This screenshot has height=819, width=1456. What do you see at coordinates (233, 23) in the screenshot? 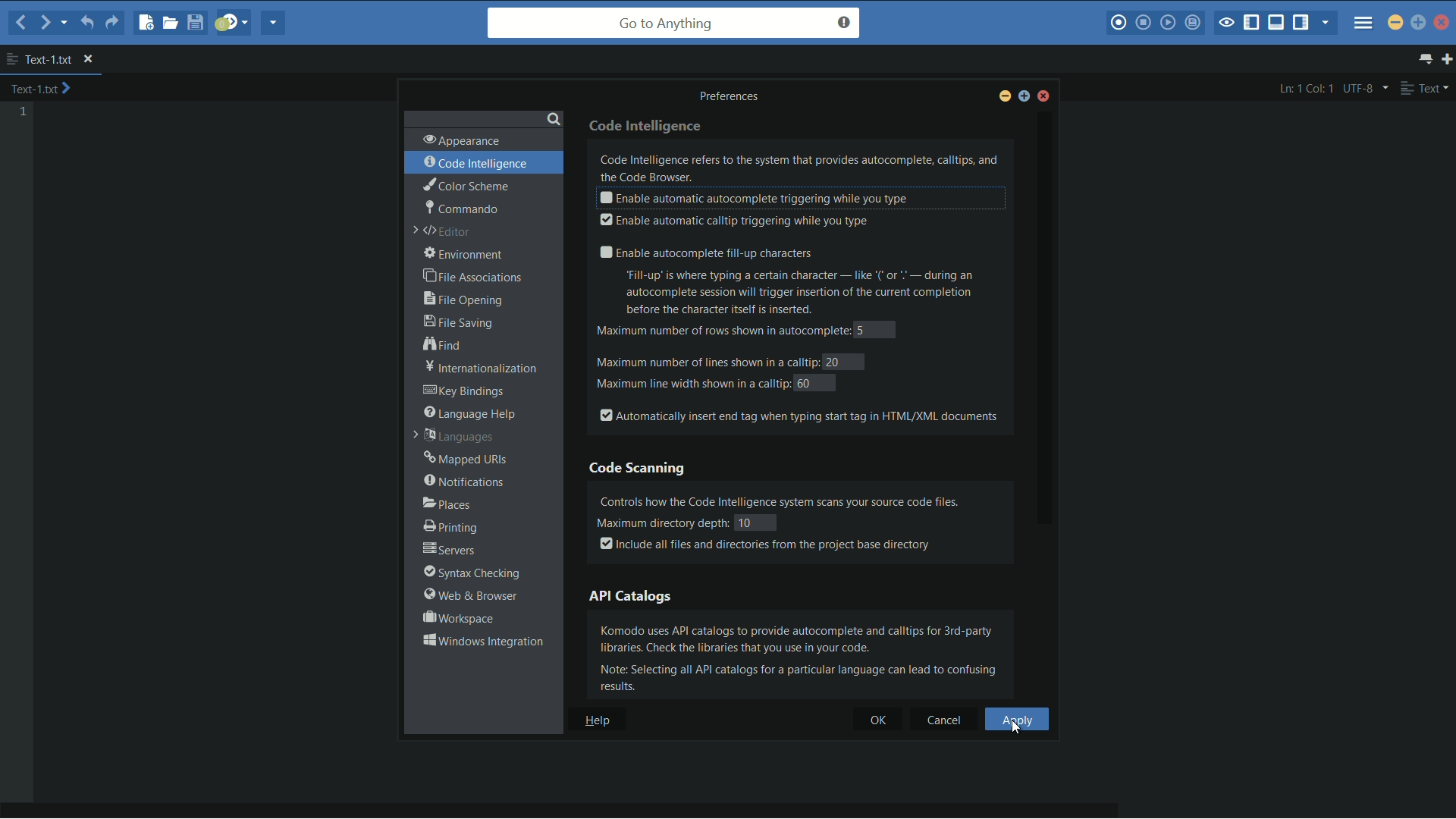
I see `jump to next syntax correcting result` at bounding box center [233, 23].